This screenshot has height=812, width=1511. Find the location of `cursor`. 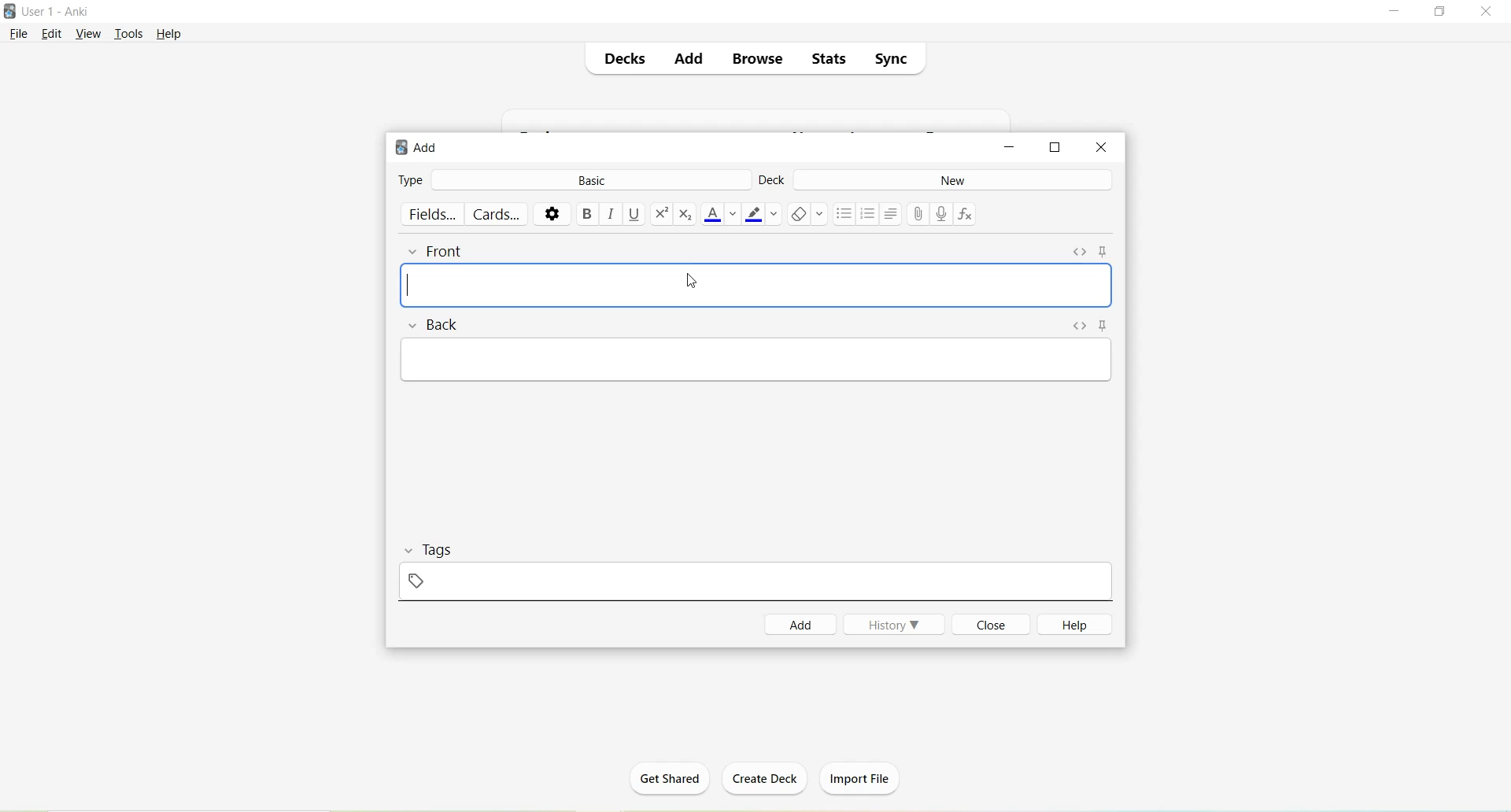

cursor is located at coordinates (691, 279).